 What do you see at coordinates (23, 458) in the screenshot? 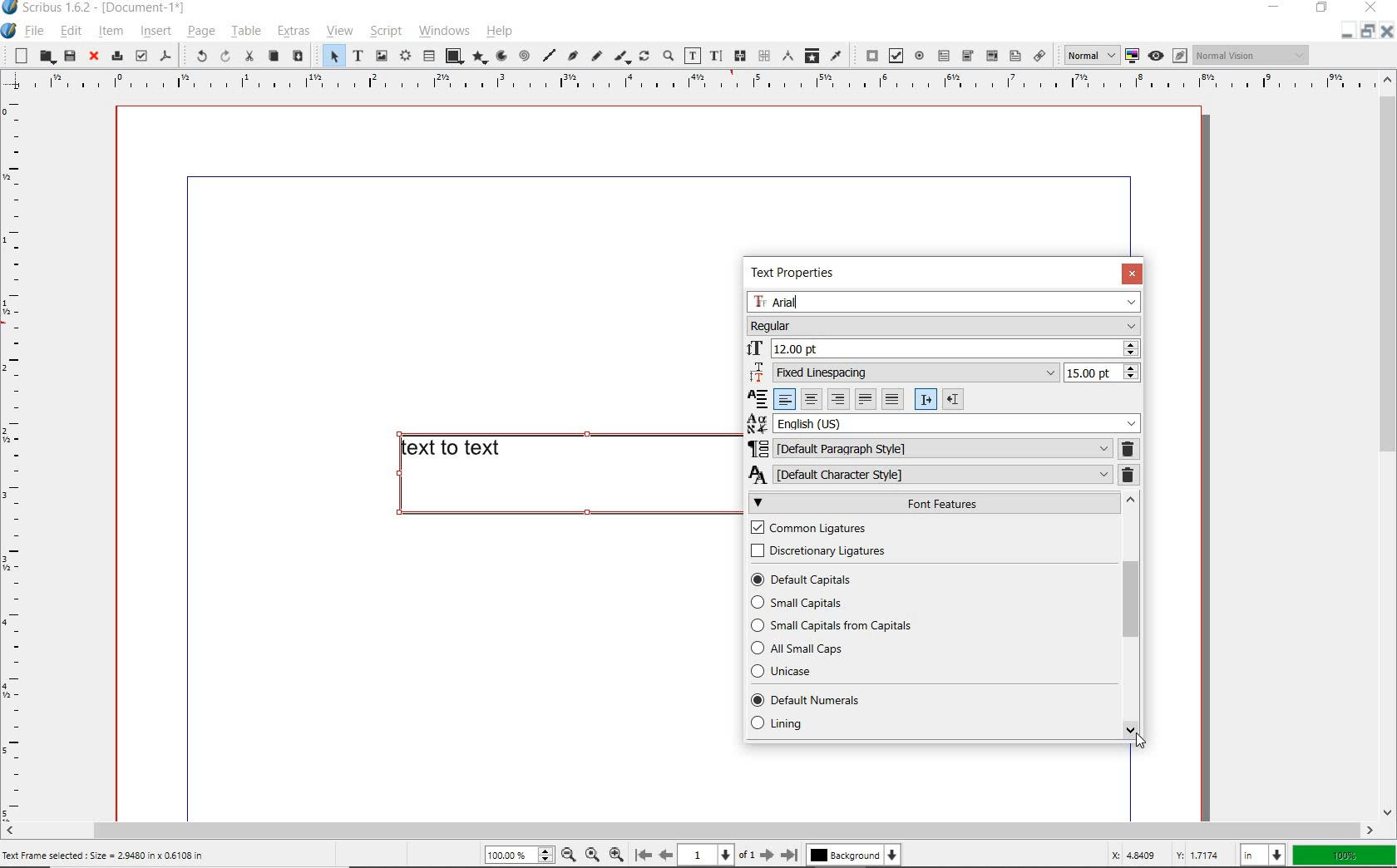
I see `Horizontal page margin` at bounding box center [23, 458].